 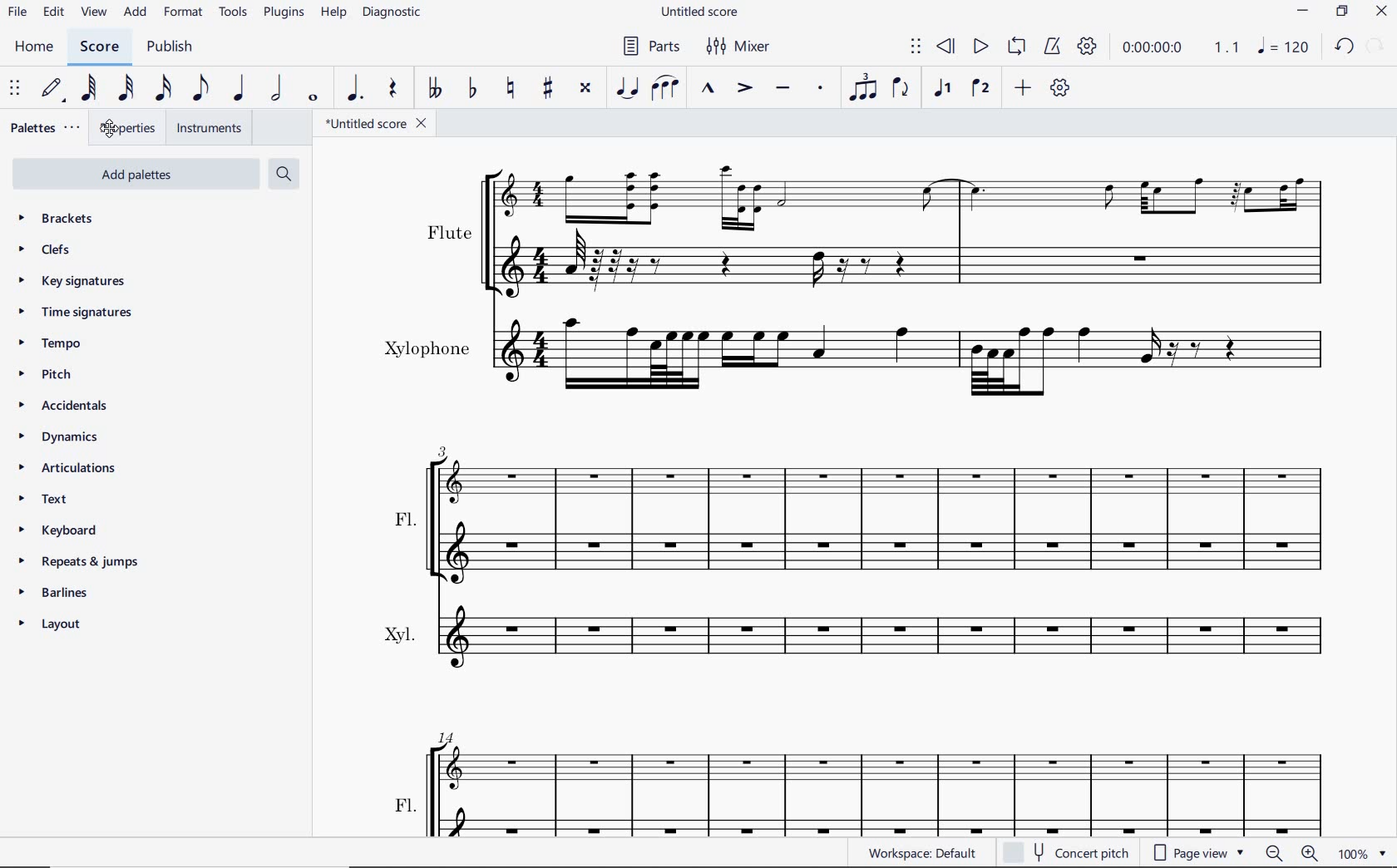 I want to click on EIGHTH NOTE, so click(x=200, y=89).